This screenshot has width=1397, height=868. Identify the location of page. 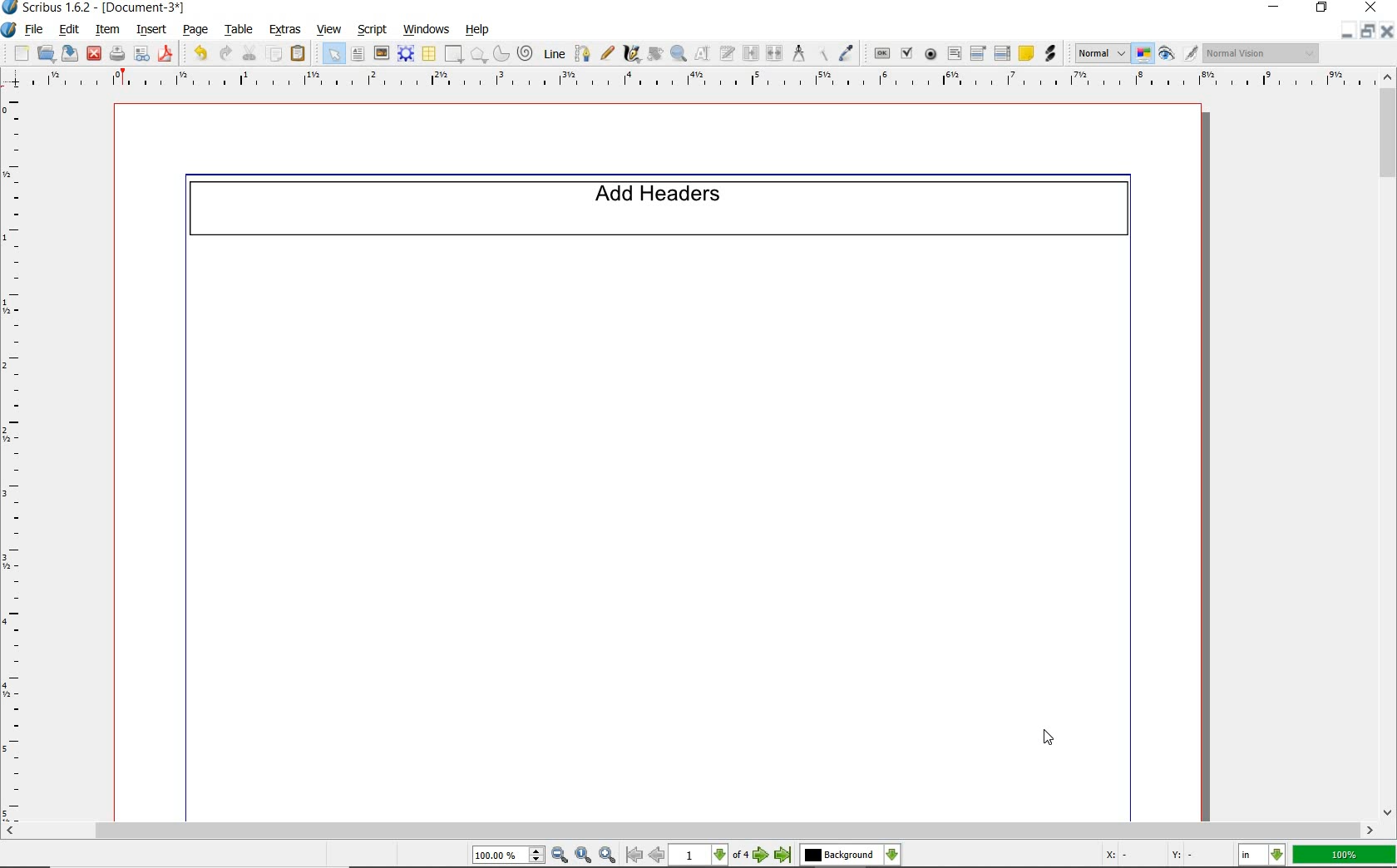
(195, 31).